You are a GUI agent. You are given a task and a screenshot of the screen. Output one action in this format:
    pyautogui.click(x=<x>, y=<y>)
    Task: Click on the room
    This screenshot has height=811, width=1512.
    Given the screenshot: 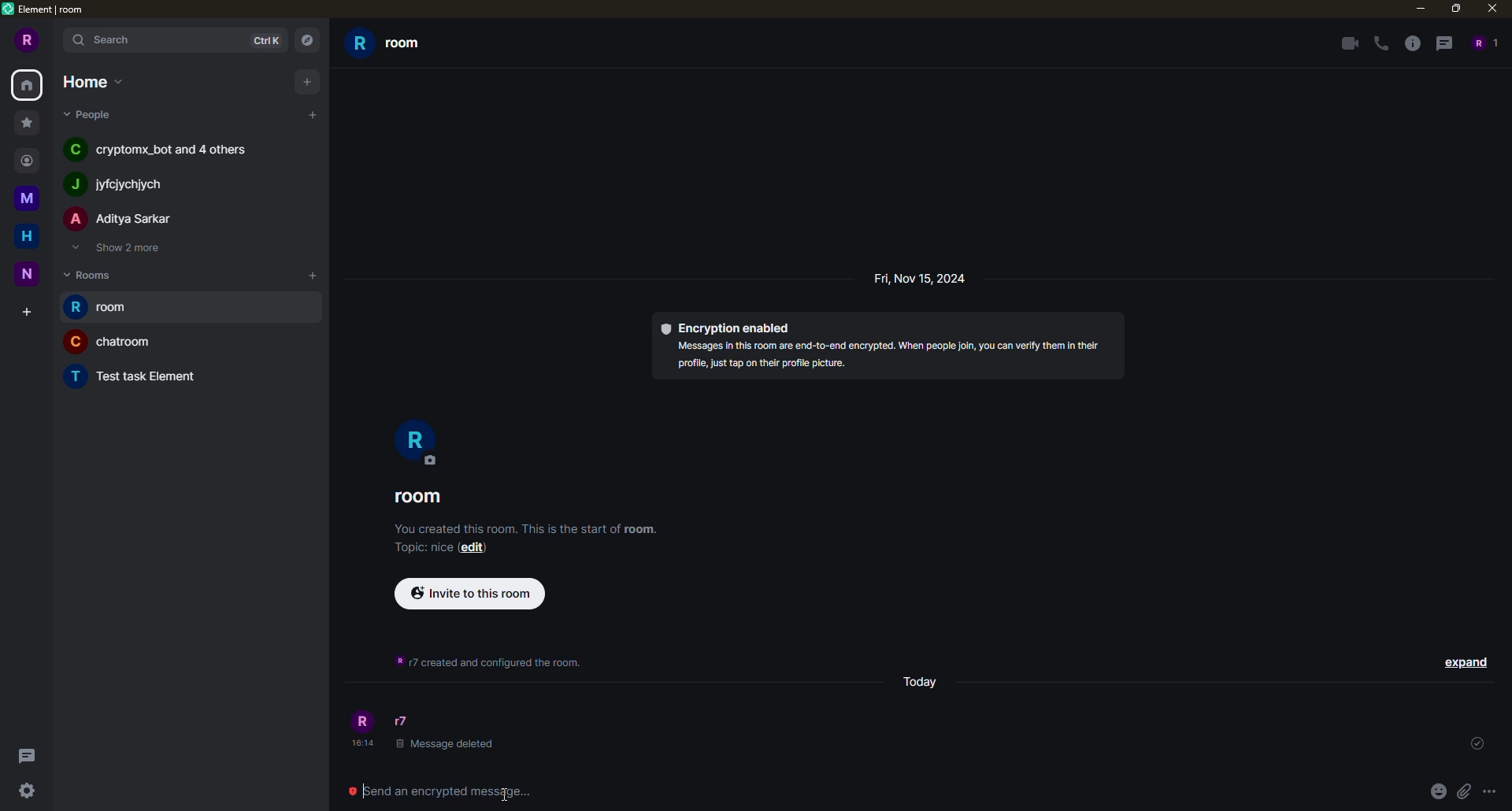 What is the action you would take?
    pyautogui.click(x=109, y=341)
    